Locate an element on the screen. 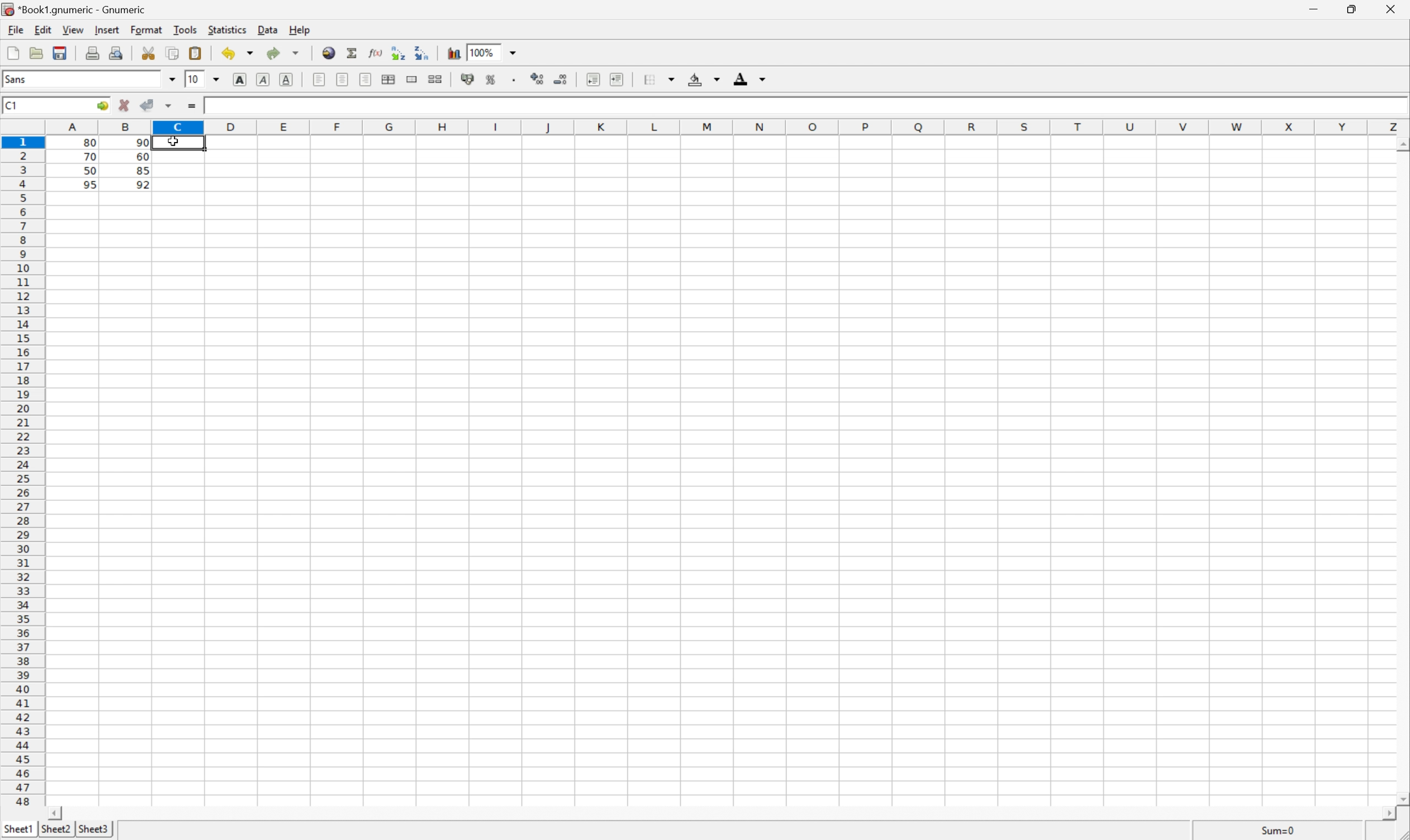 This screenshot has width=1410, height=840. Insert is located at coordinates (108, 31).